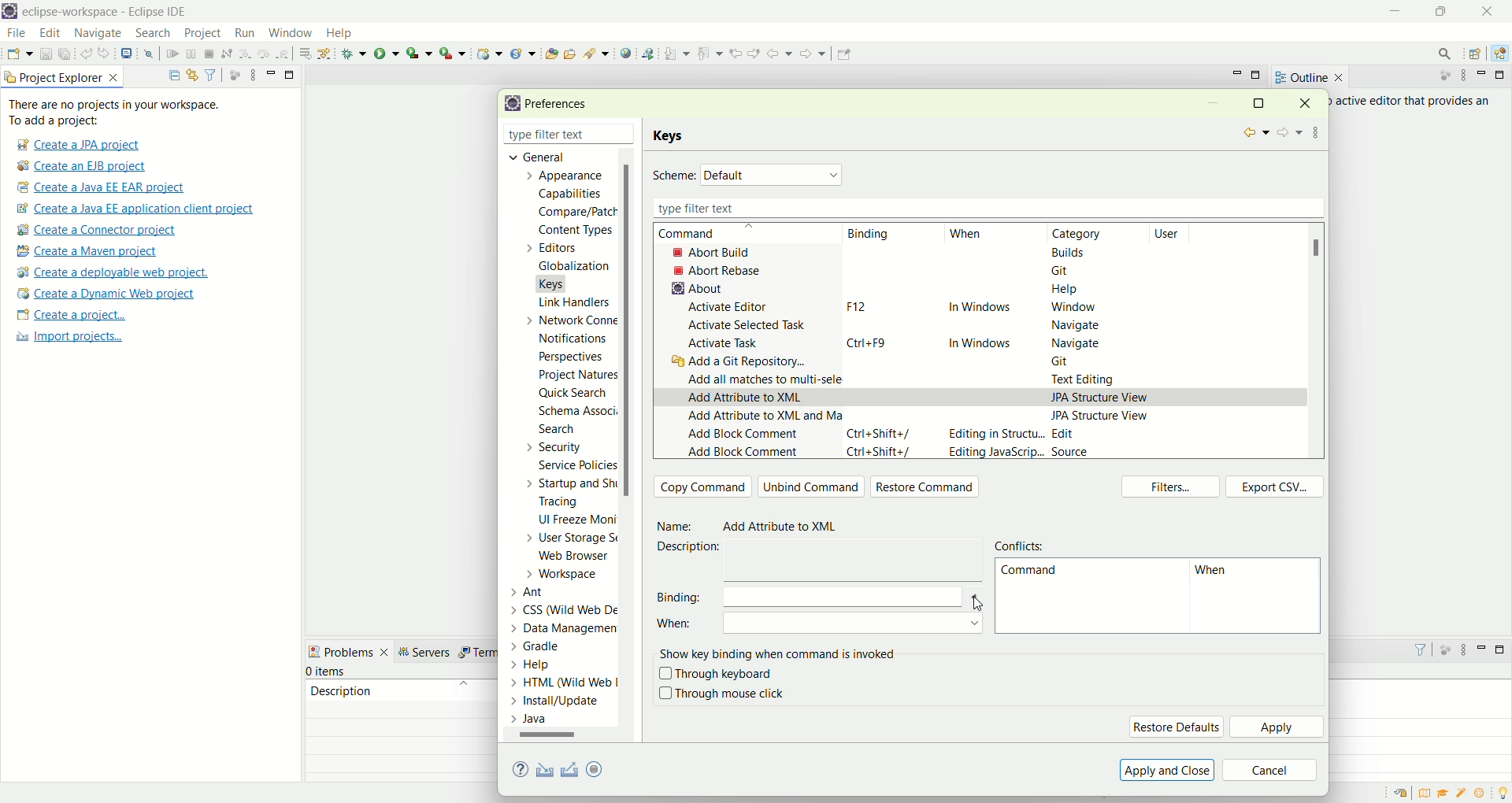  I want to click on  Data Management, so click(554, 627).